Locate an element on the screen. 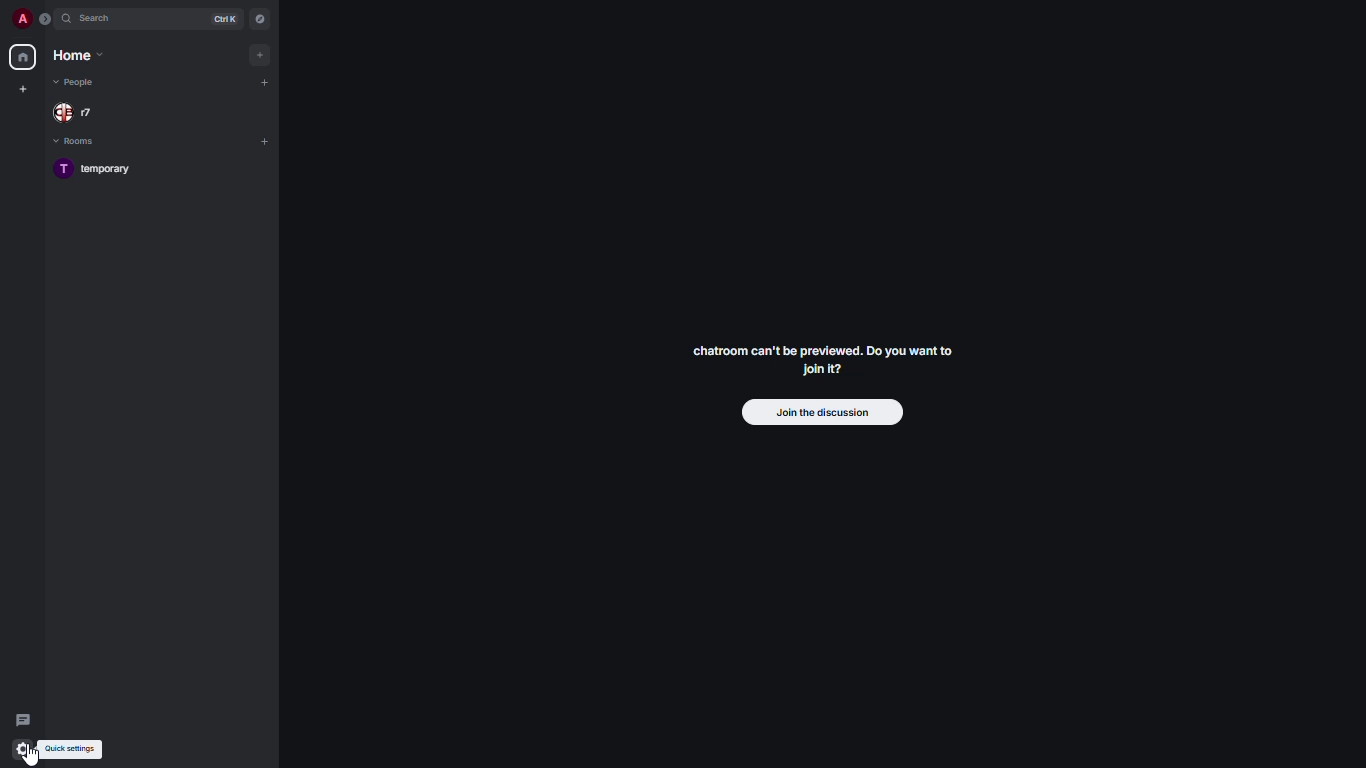 The height and width of the screenshot is (768, 1366). search is located at coordinates (98, 19).